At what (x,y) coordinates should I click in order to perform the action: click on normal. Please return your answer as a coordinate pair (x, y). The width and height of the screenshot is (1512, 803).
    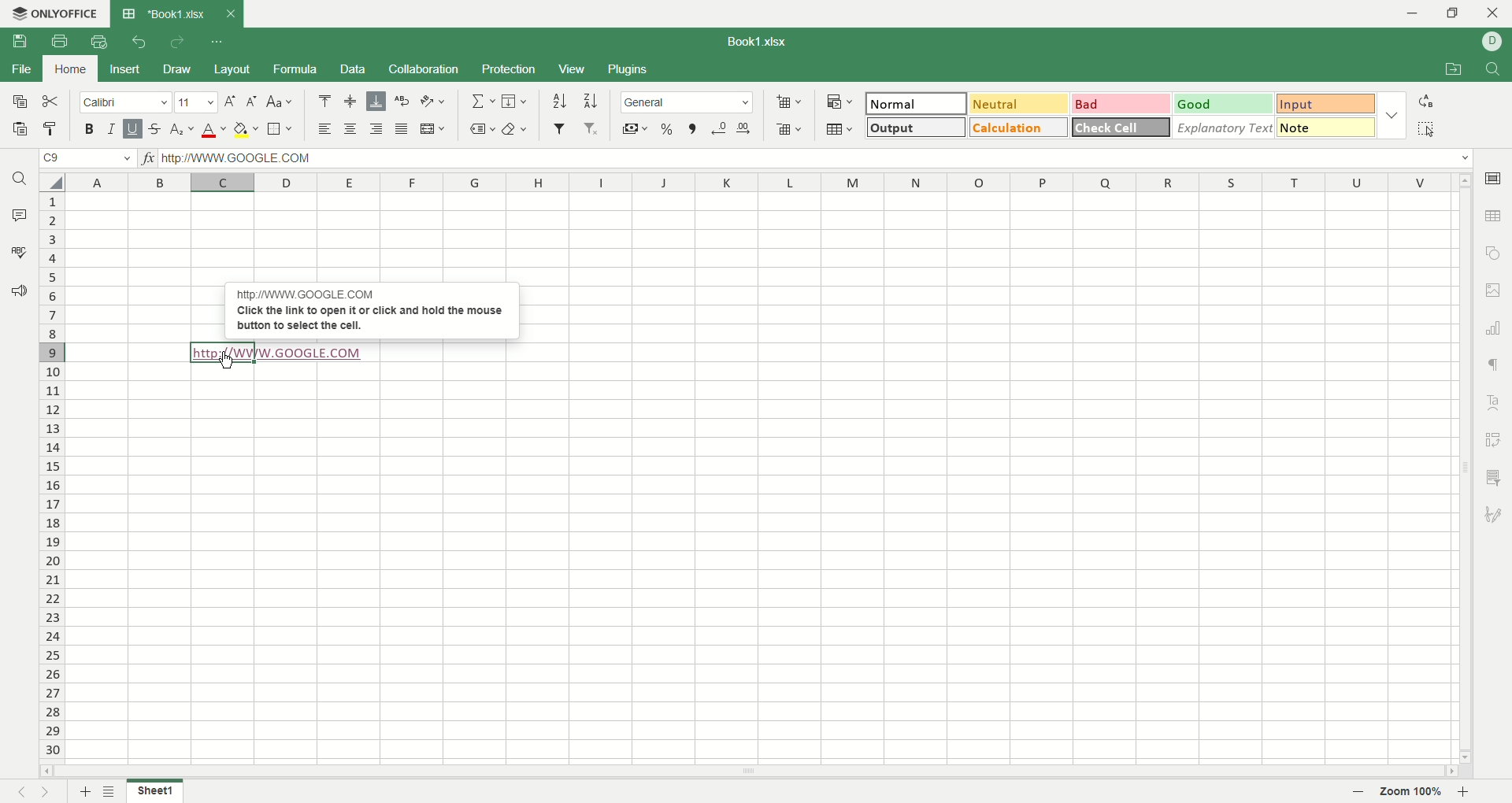
    Looking at the image, I should click on (917, 103).